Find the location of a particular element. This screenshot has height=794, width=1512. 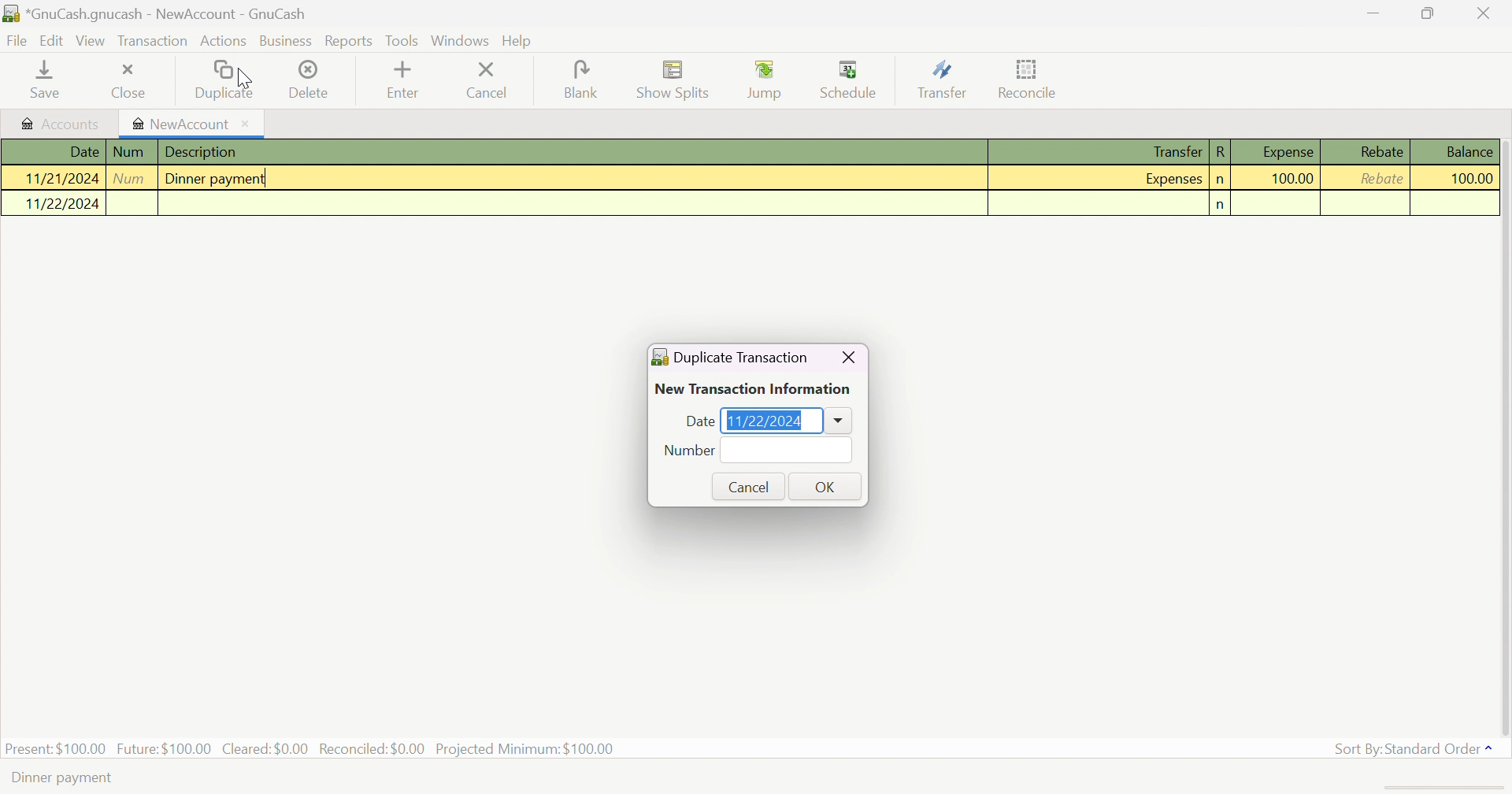

n is located at coordinates (1217, 181).